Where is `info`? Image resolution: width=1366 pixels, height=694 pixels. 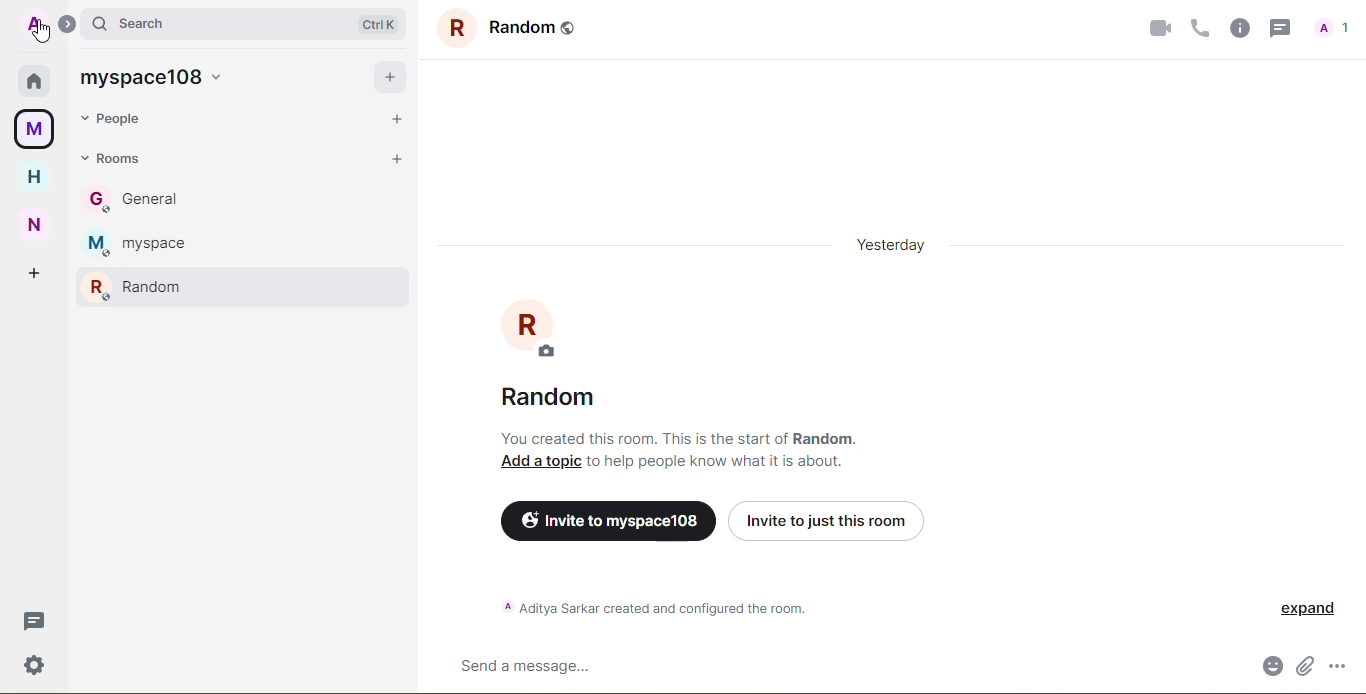 info is located at coordinates (681, 438).